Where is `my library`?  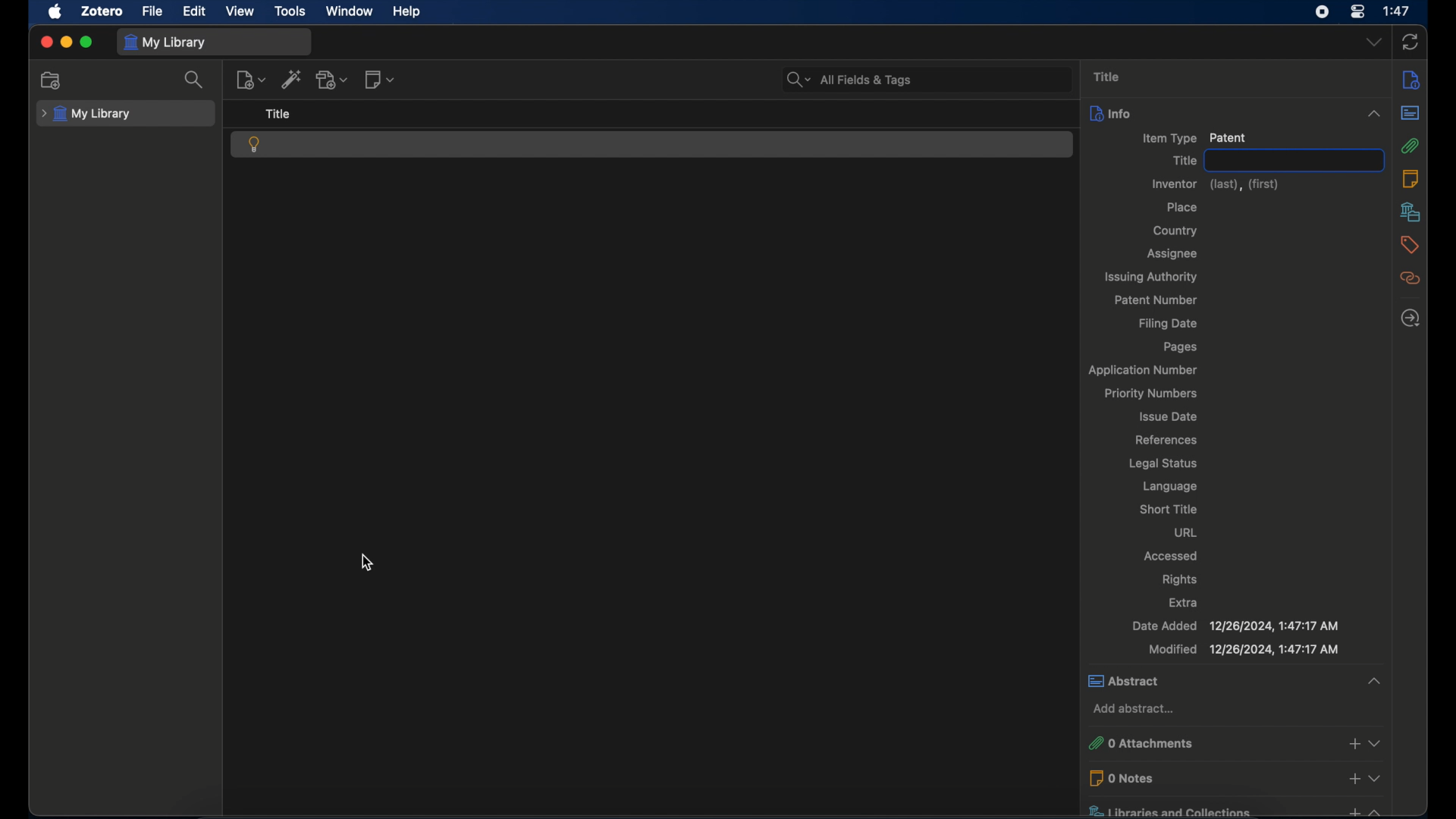
my library is located at coordinates (168, 42).